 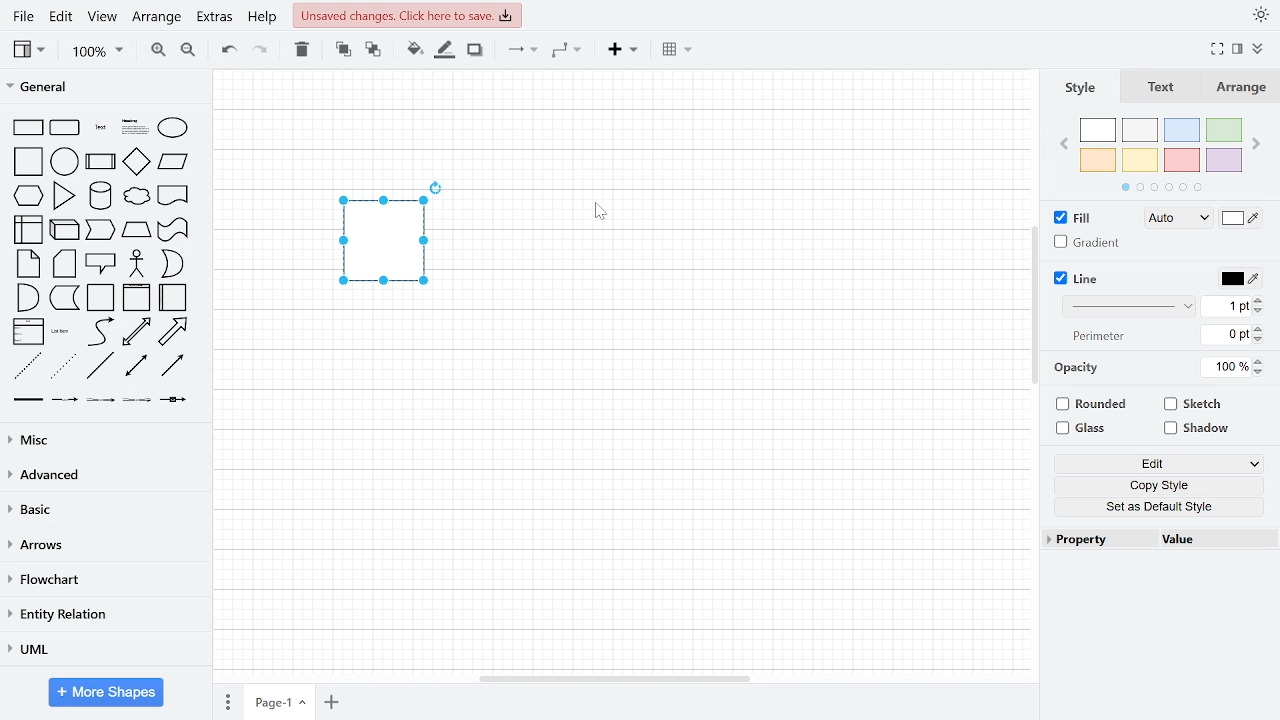 I want to click on increase line width, so click(x=1260, y=301).